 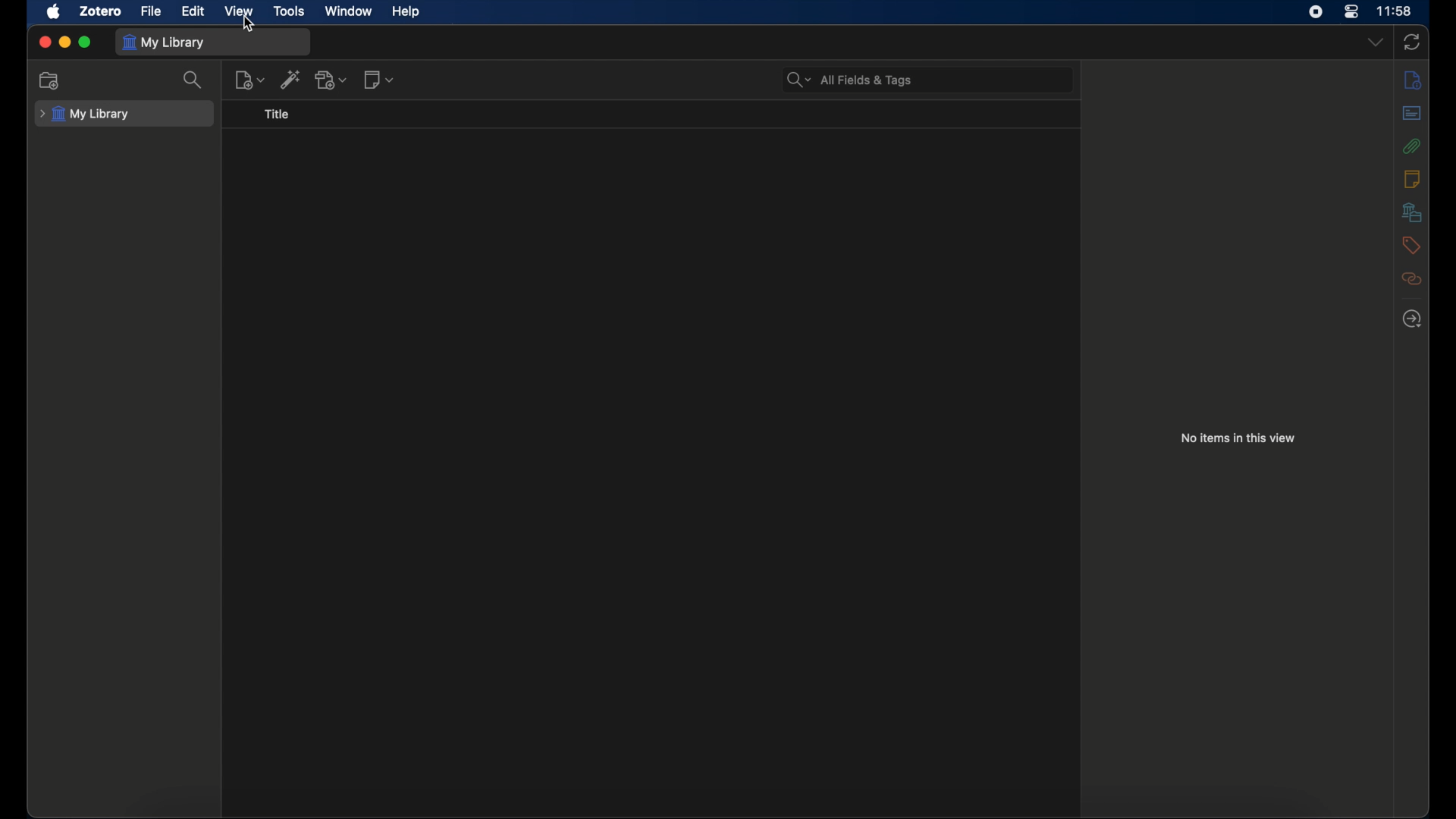 I want to click on locate, so click(x=1411, y=319).